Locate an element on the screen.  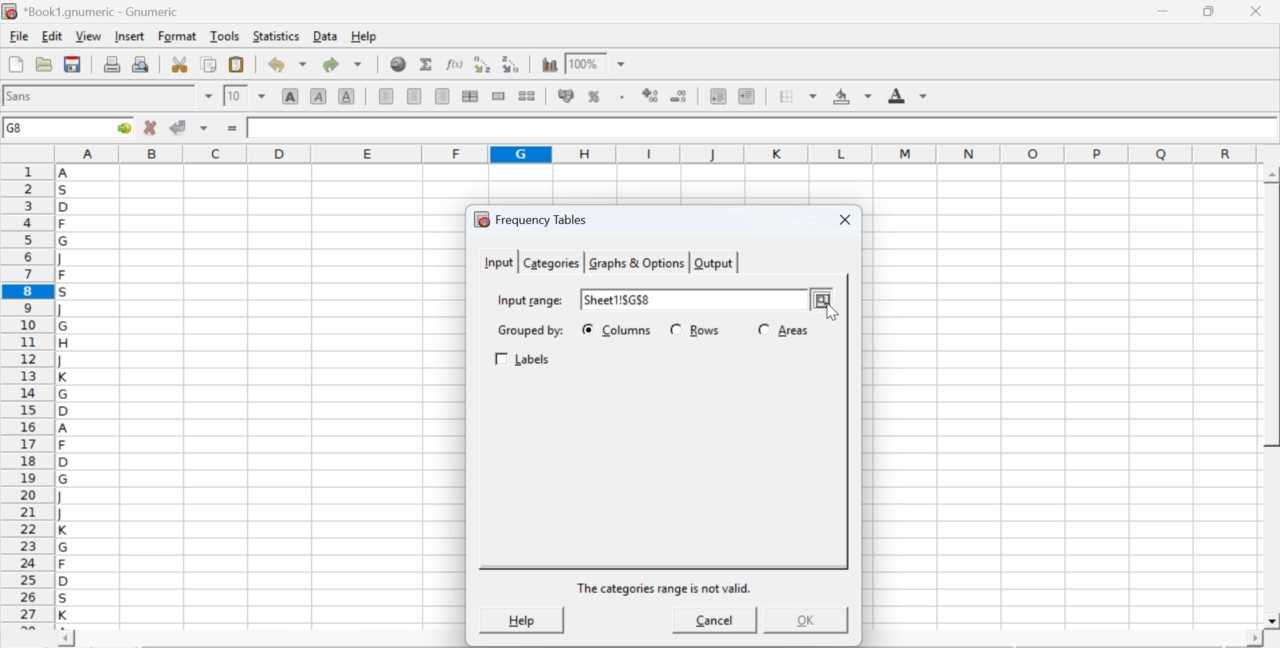
foreground is located at coordinates (908, 95).